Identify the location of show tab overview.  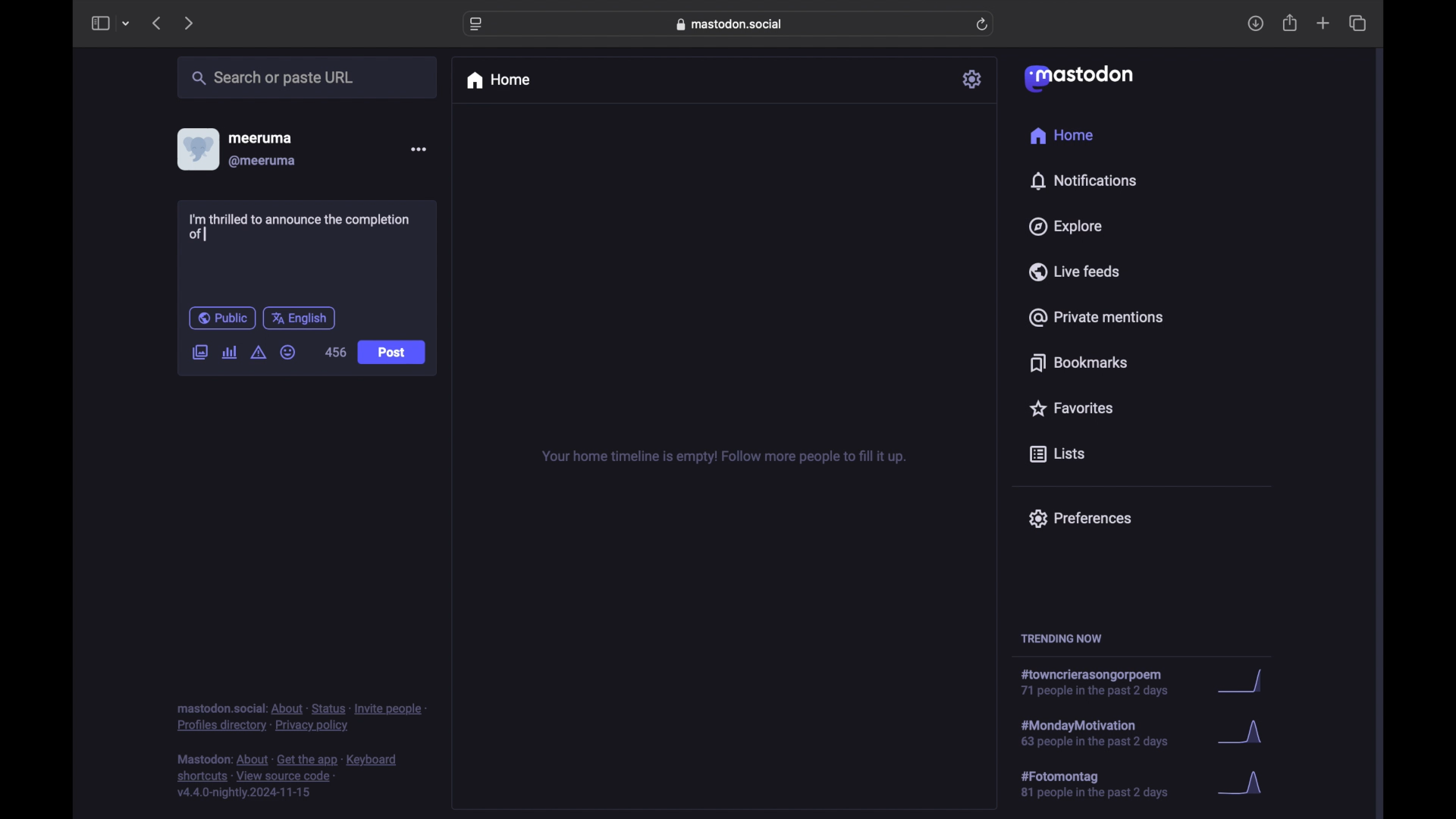
(1359, 23).